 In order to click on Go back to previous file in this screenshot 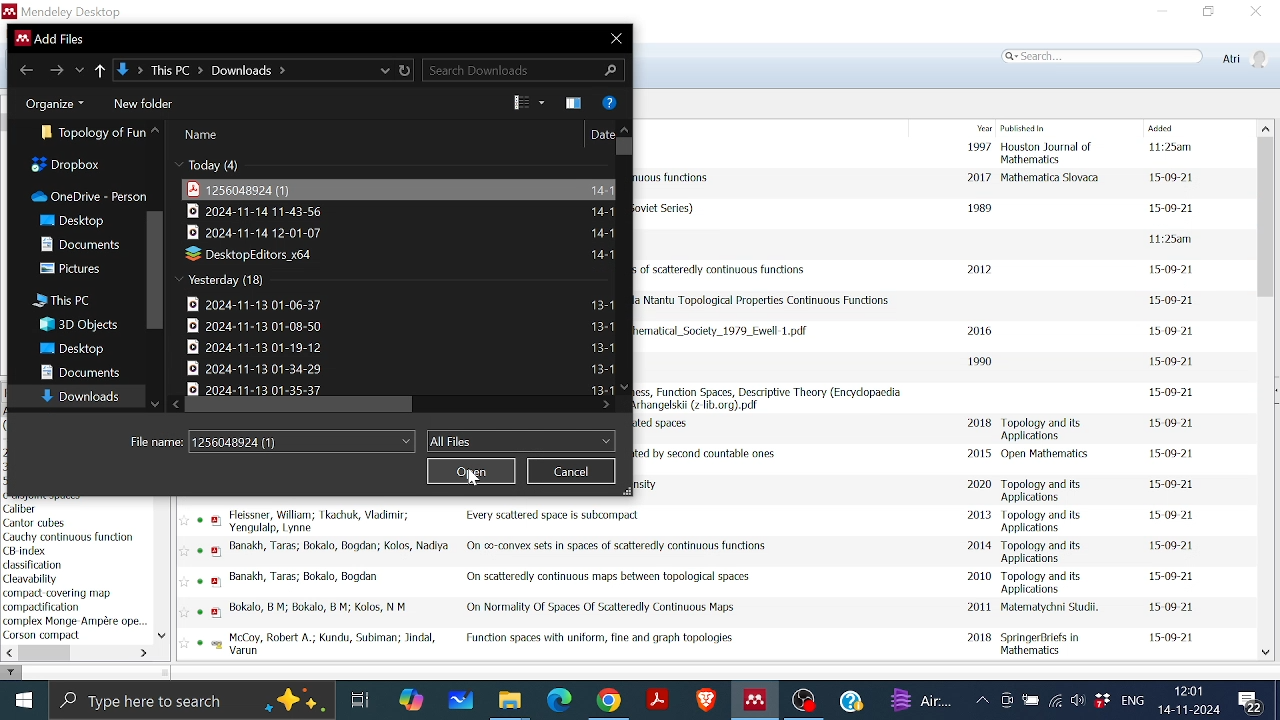, I will do `click(27, 69)`.